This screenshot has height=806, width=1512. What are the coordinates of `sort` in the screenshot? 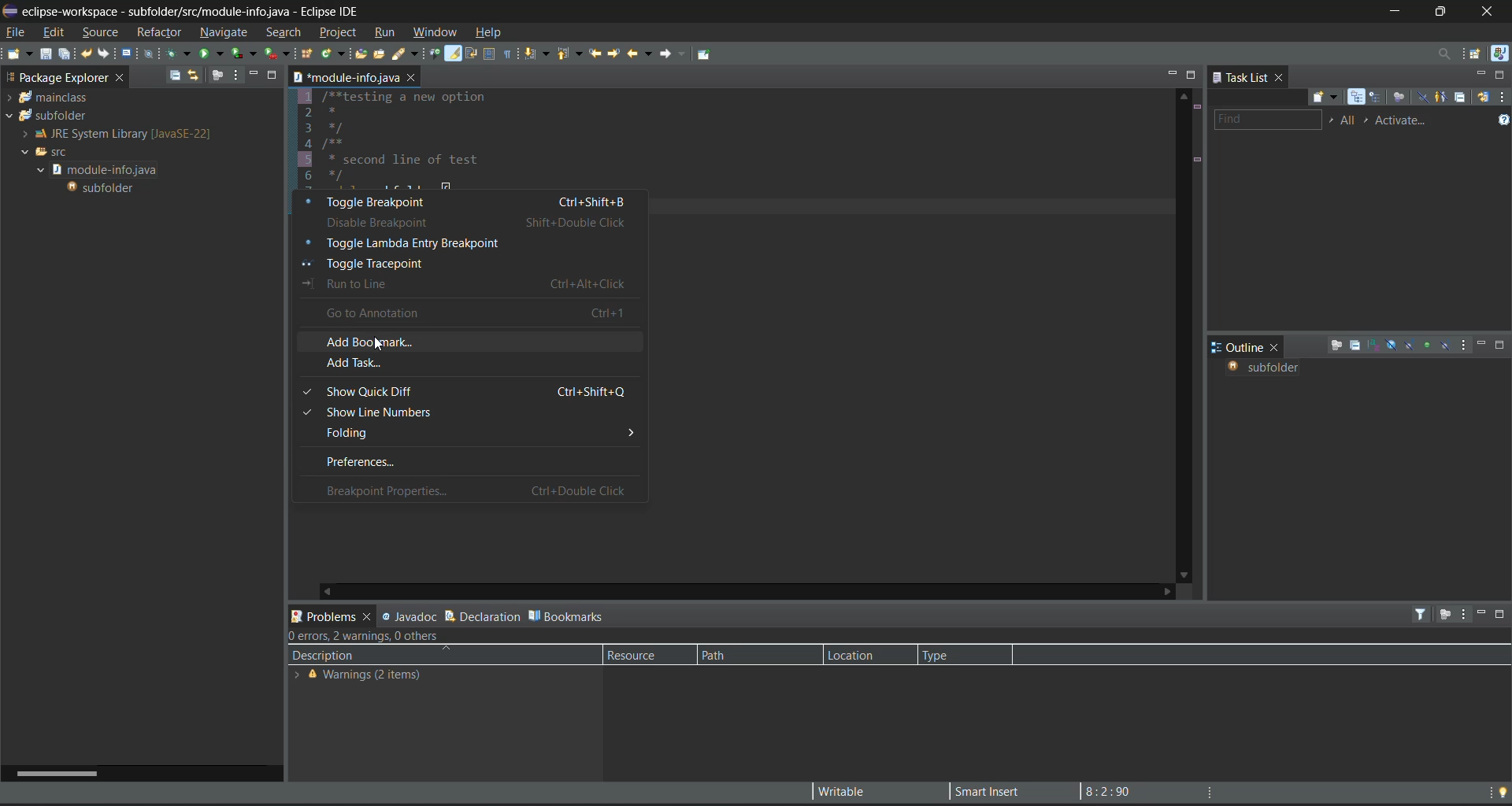 It's located at (1374, 345).